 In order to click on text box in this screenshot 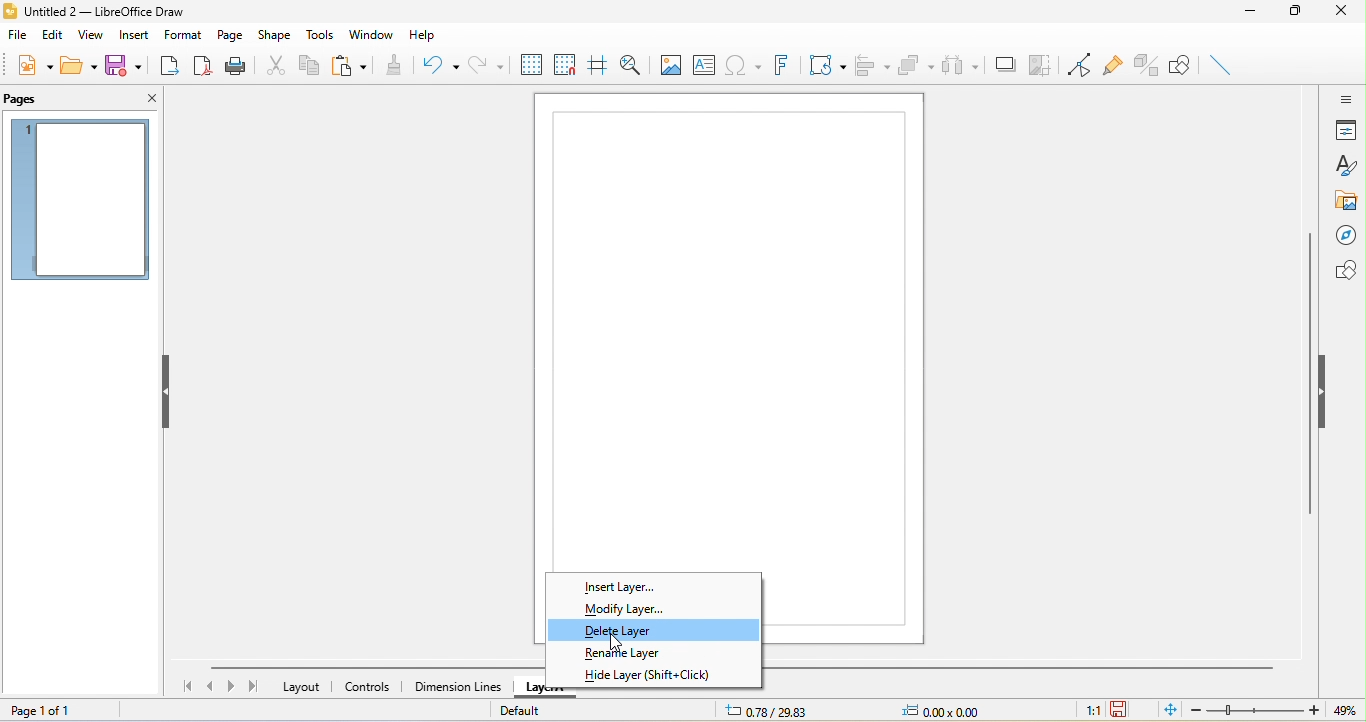, I will do `click(702, 66)`.